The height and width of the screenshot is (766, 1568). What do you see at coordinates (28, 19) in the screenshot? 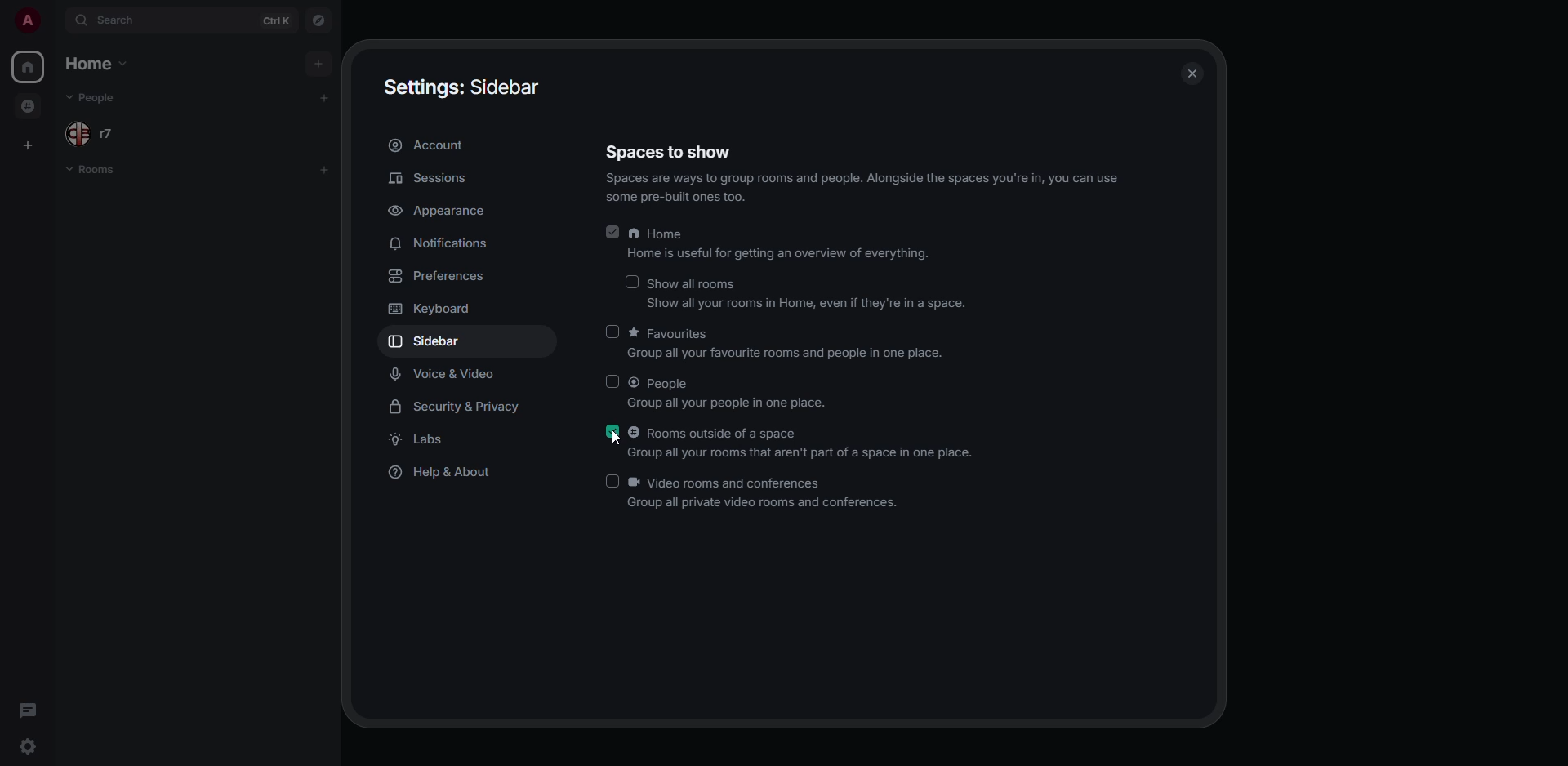
I see `profile` at bounding box center [28, 19].